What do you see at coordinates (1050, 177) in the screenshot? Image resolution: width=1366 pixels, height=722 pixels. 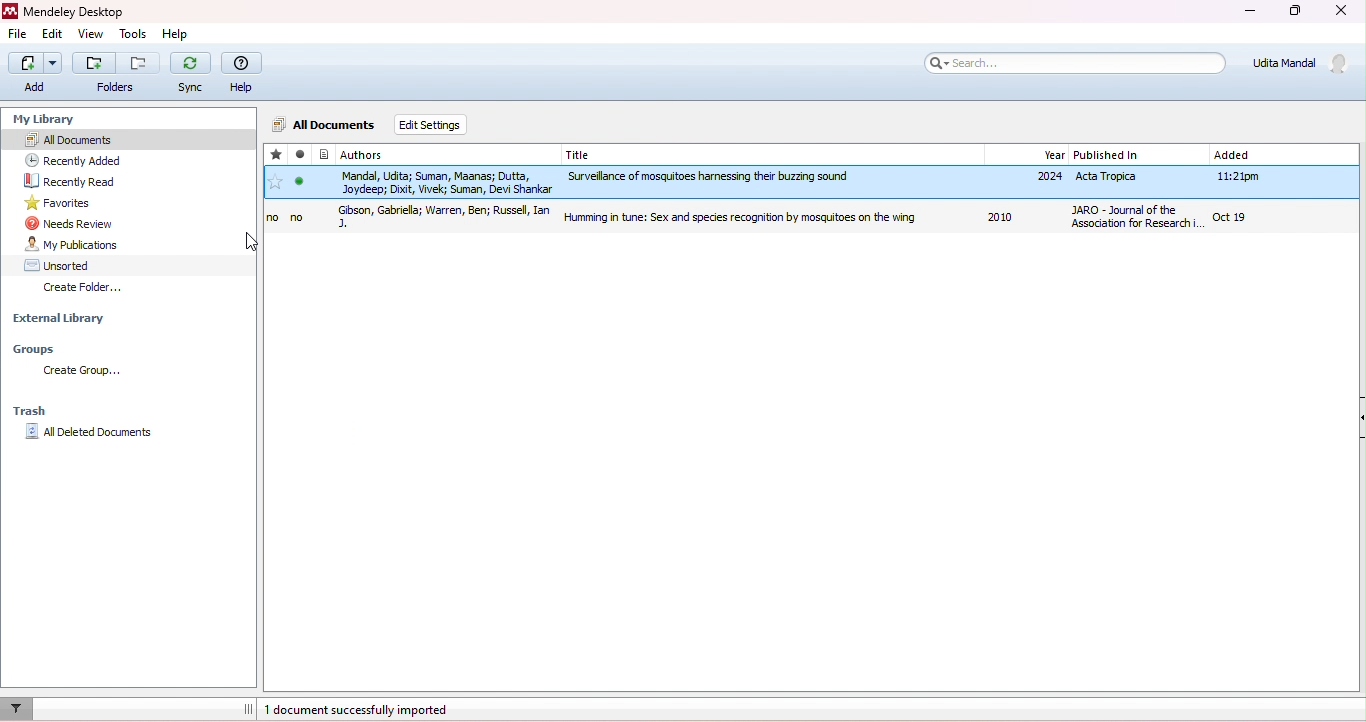 I see `2024` at bounding box center [1050, 177].